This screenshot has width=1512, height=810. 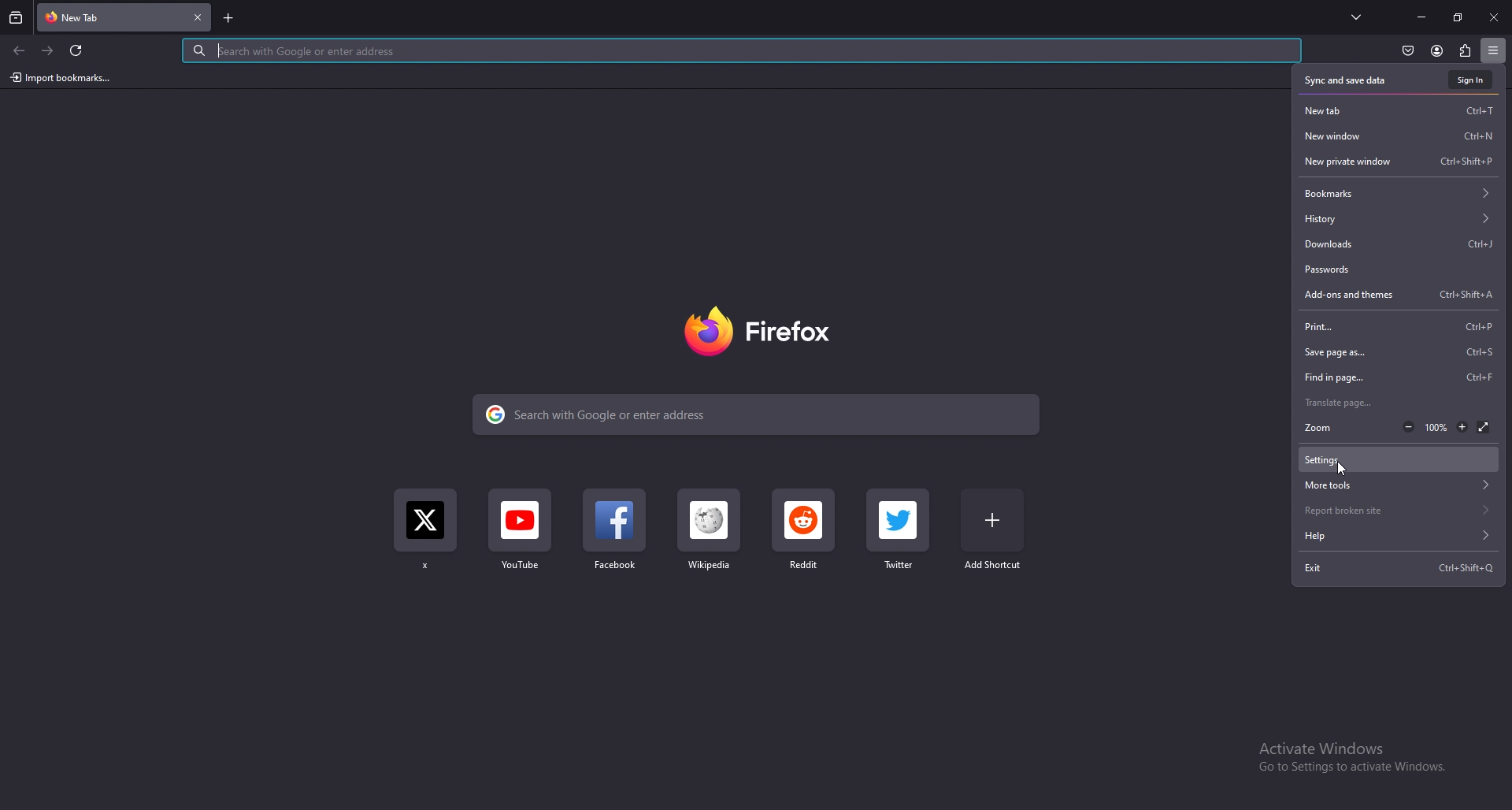 I want to click on print, so click(x=1398, y=326).